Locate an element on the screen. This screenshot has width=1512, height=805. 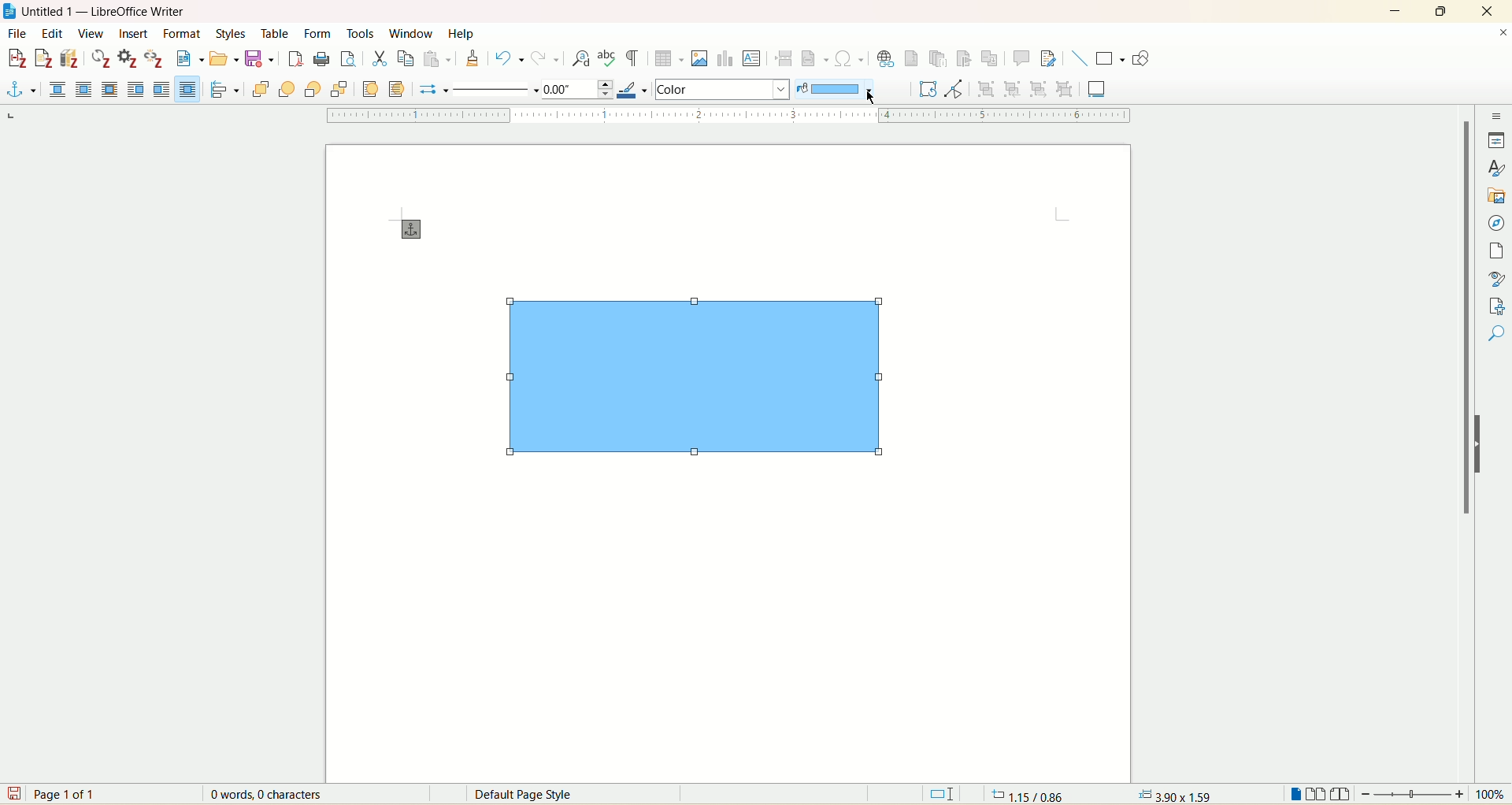
basic shapes is located at coordinates (1110, 59).